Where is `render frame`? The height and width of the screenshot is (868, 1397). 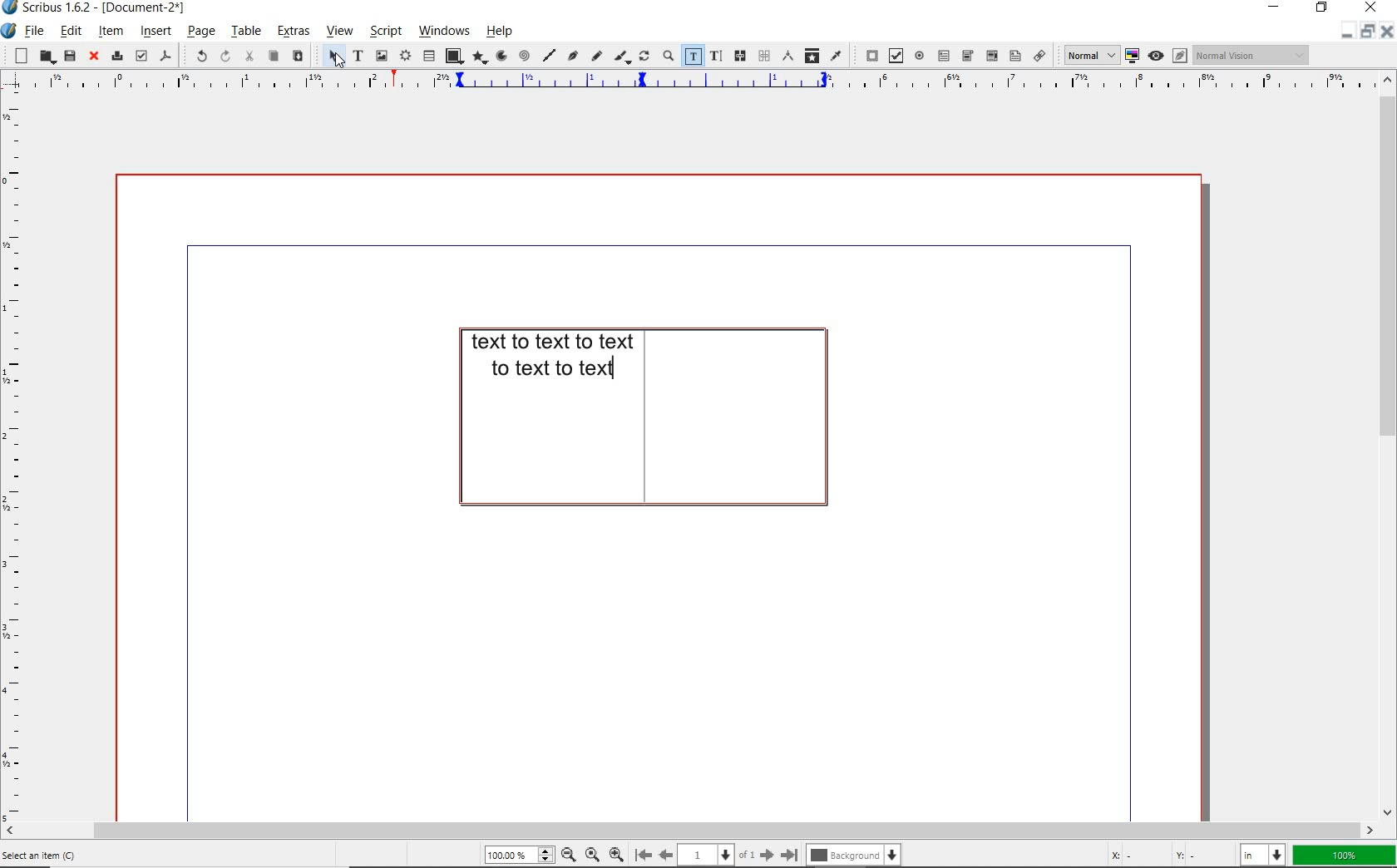 render frame is located at coordinates (404, 55).